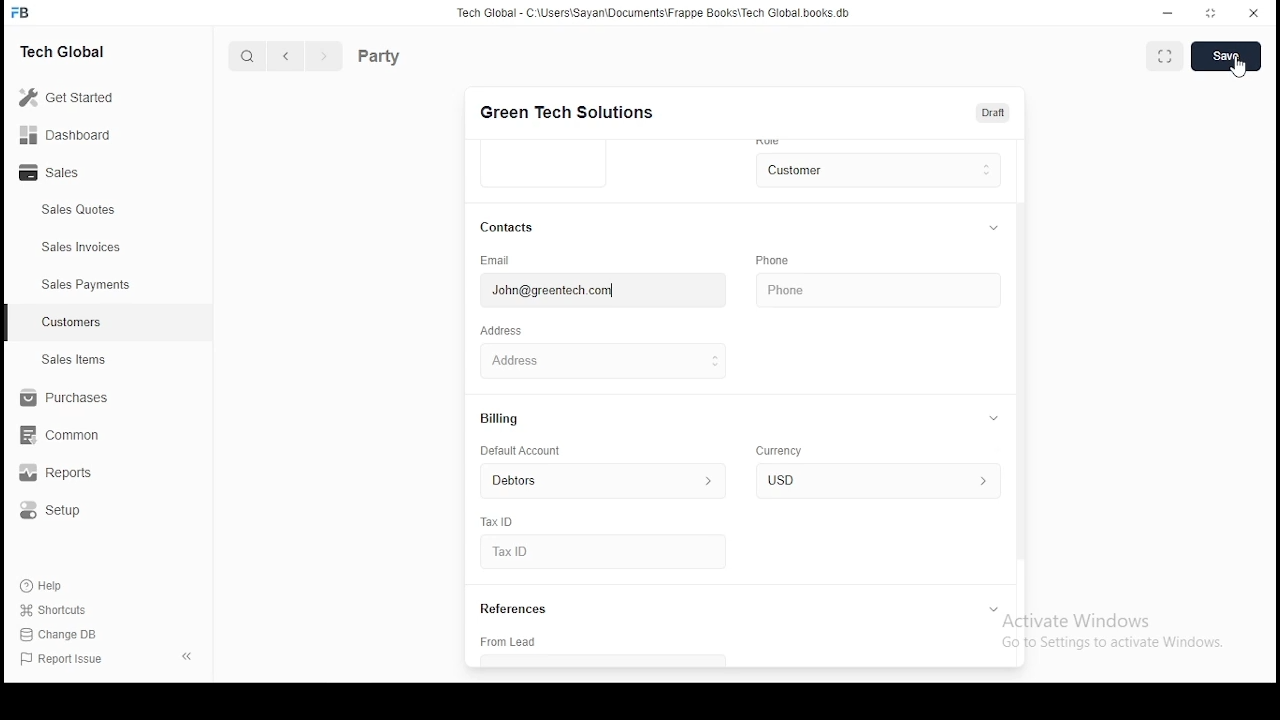 The width and height of the screenshot is (1280, 720). What do you see at coordinates (58, 513) in the screenshot?
I see `setup` at bounding box center [58, 513].